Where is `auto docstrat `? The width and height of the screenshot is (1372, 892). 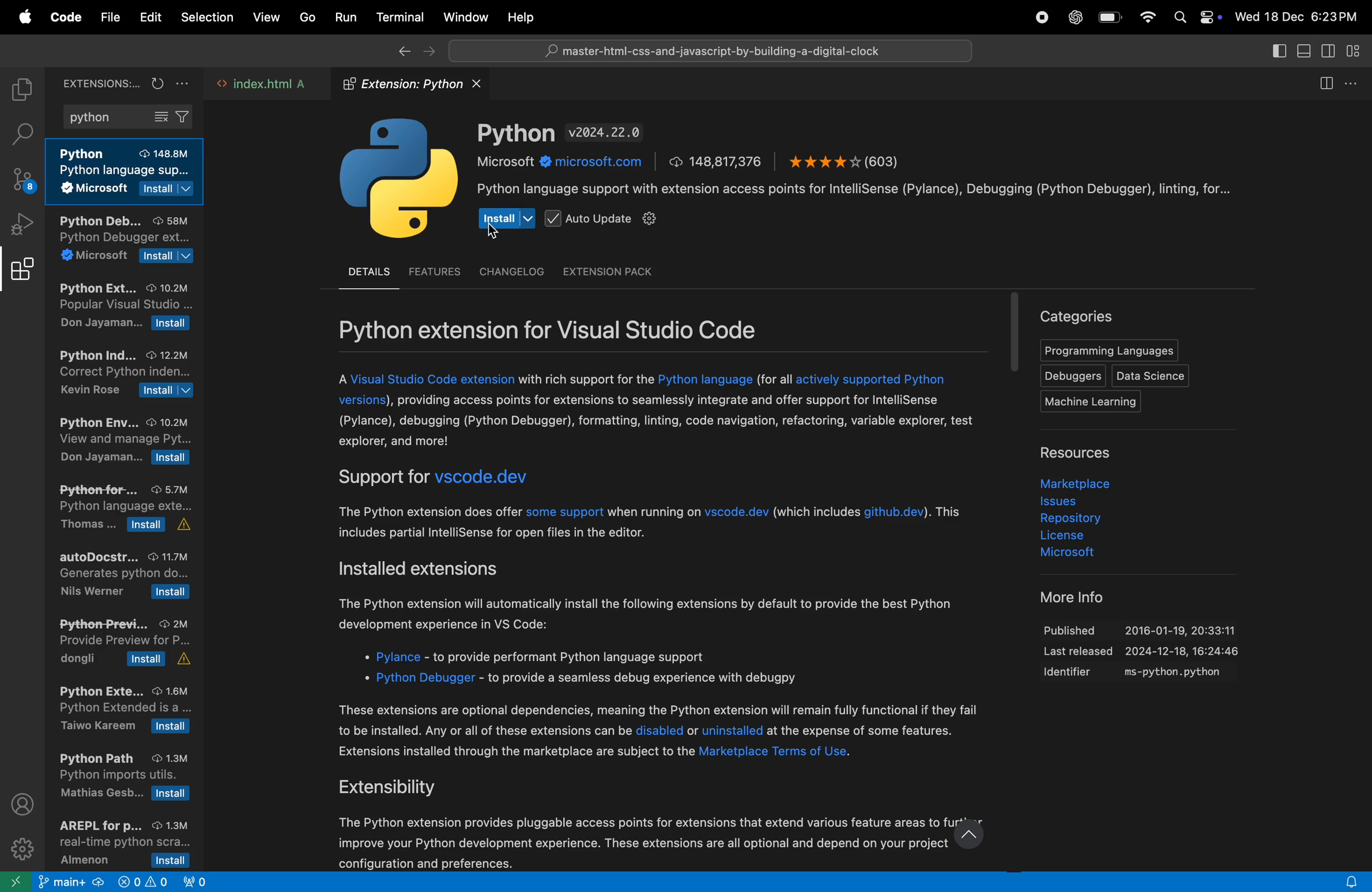 auto docstrat  is located at coordinates (125, 575).